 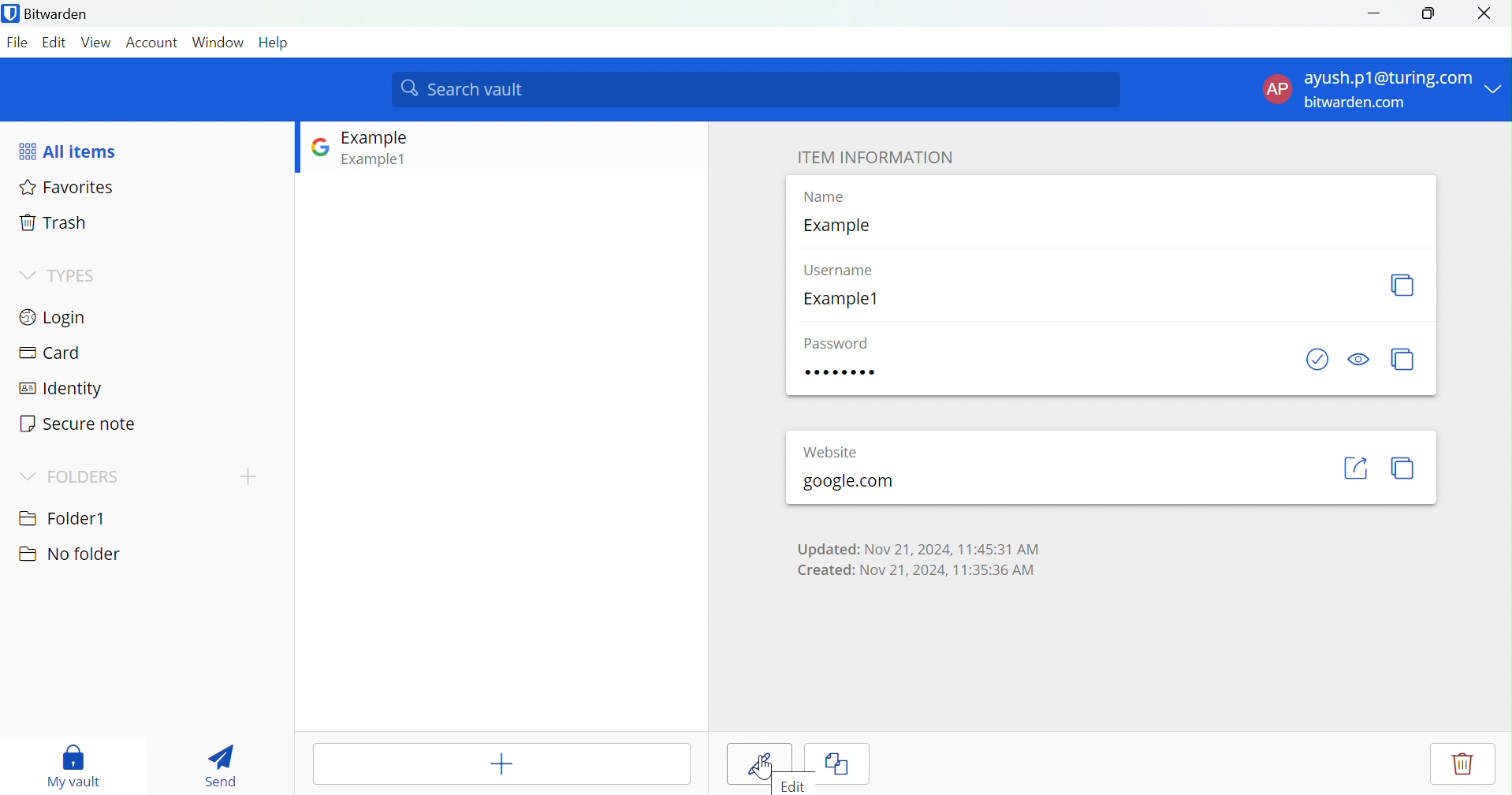 I want to click on Website, so click(x=843, y=448).